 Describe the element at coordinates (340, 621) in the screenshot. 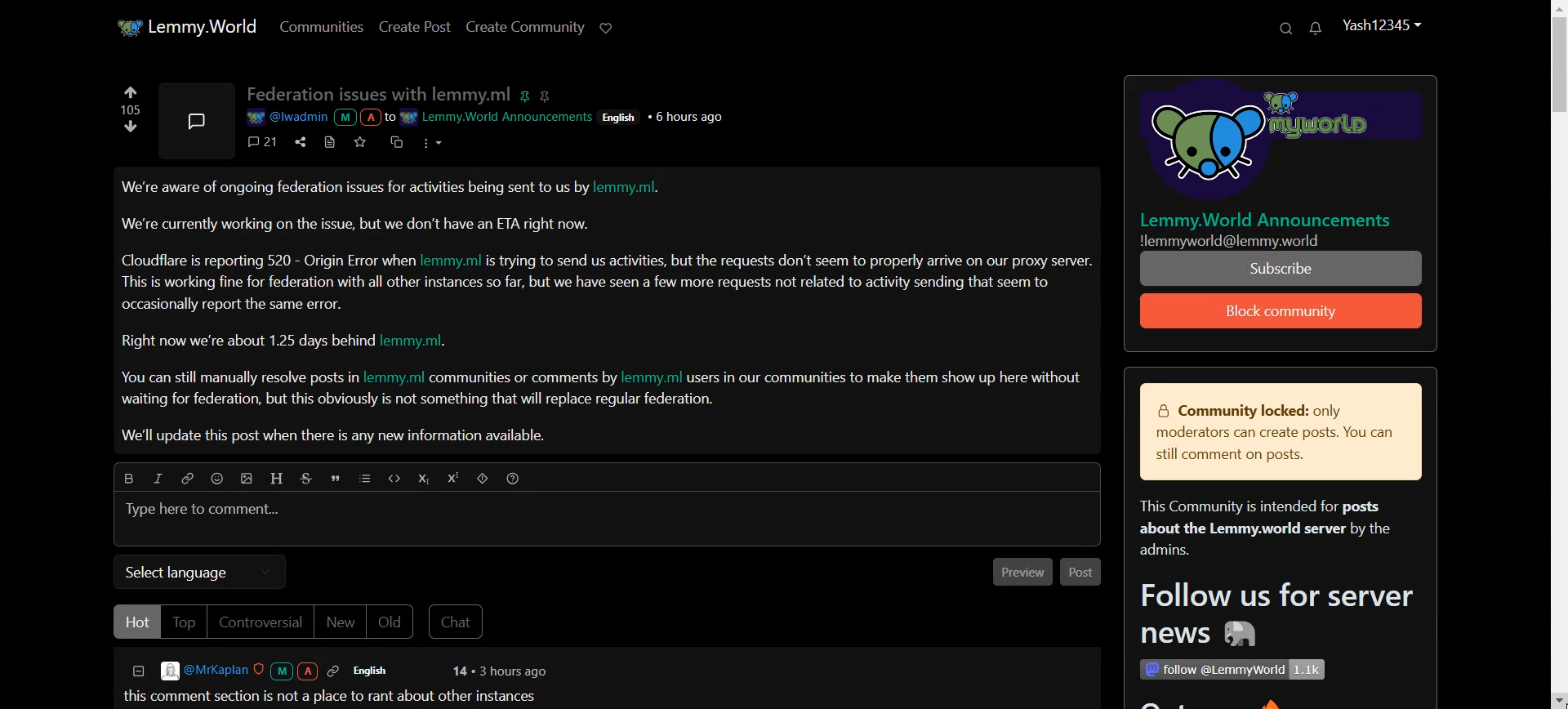

I see `New` at that location.